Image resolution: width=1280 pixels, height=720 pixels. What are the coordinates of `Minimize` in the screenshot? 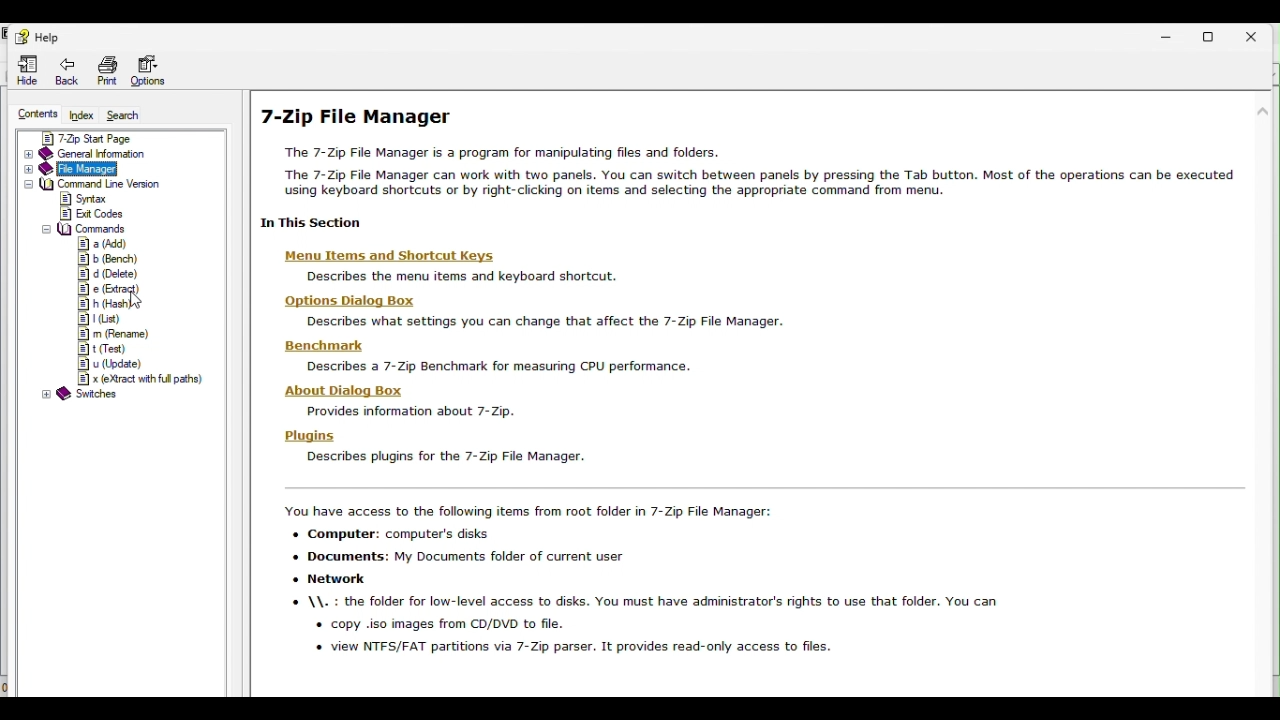 It's located at (1171, 32).